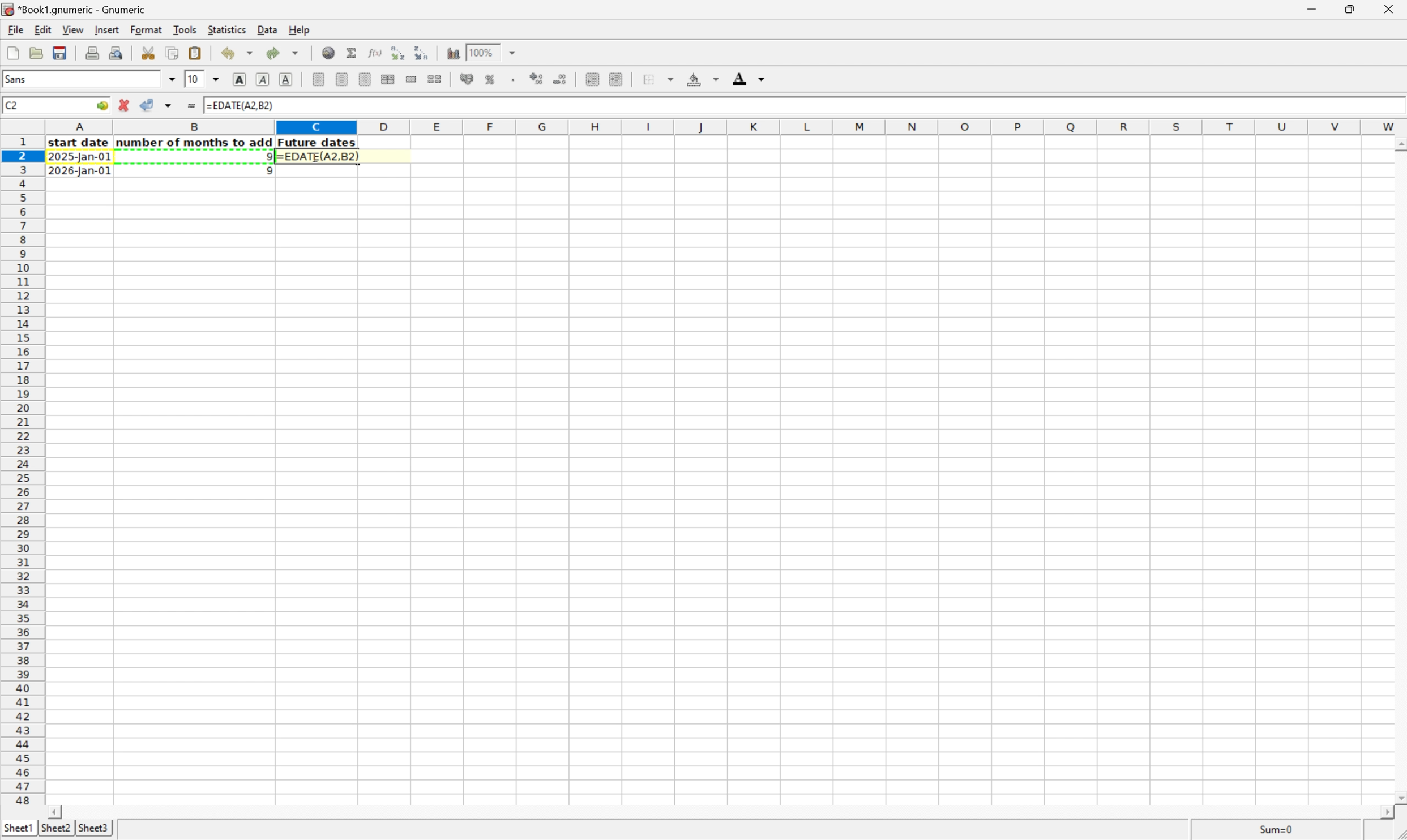 This screenshot has width=1407, height=840. What do you see at coordinates (514, 80) in the screenshot?
I see `Set the format of the selected cells to include a thousands separator` at bounding box center [514, 80].